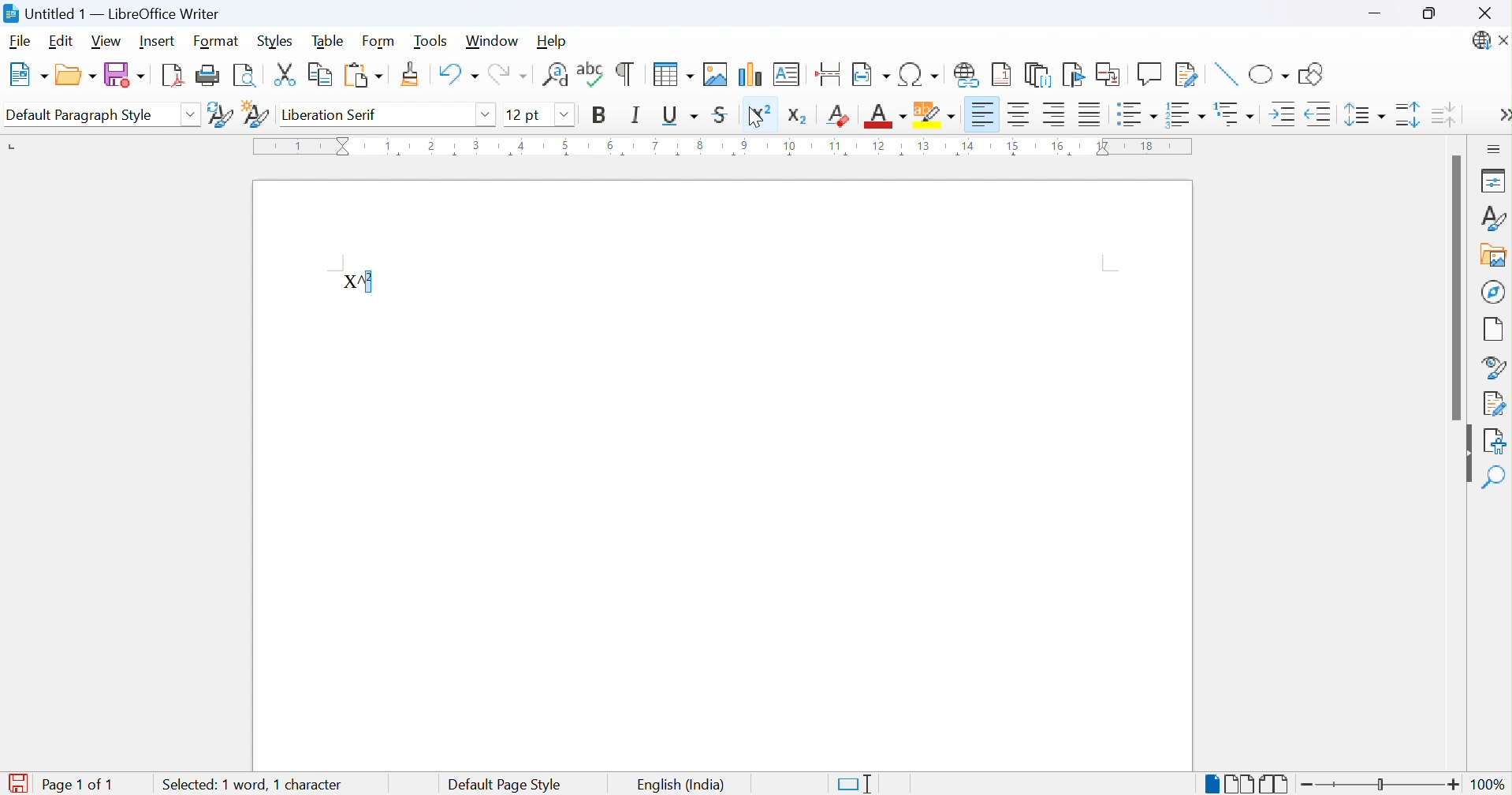  I want to click on Clear direct formatting, so click(836, 115).